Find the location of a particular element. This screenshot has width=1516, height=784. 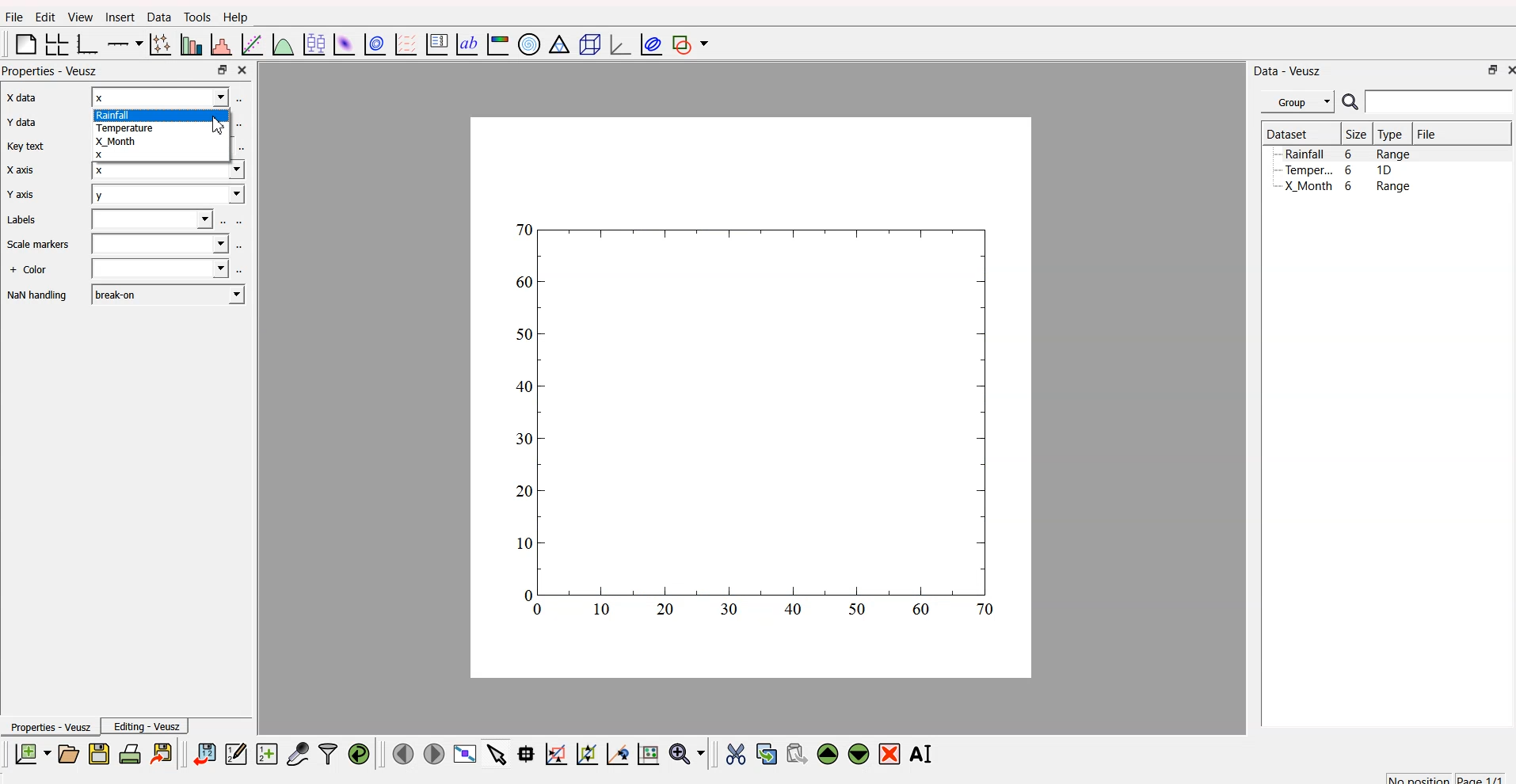

cut the widget is located at coordinates (734, 753).